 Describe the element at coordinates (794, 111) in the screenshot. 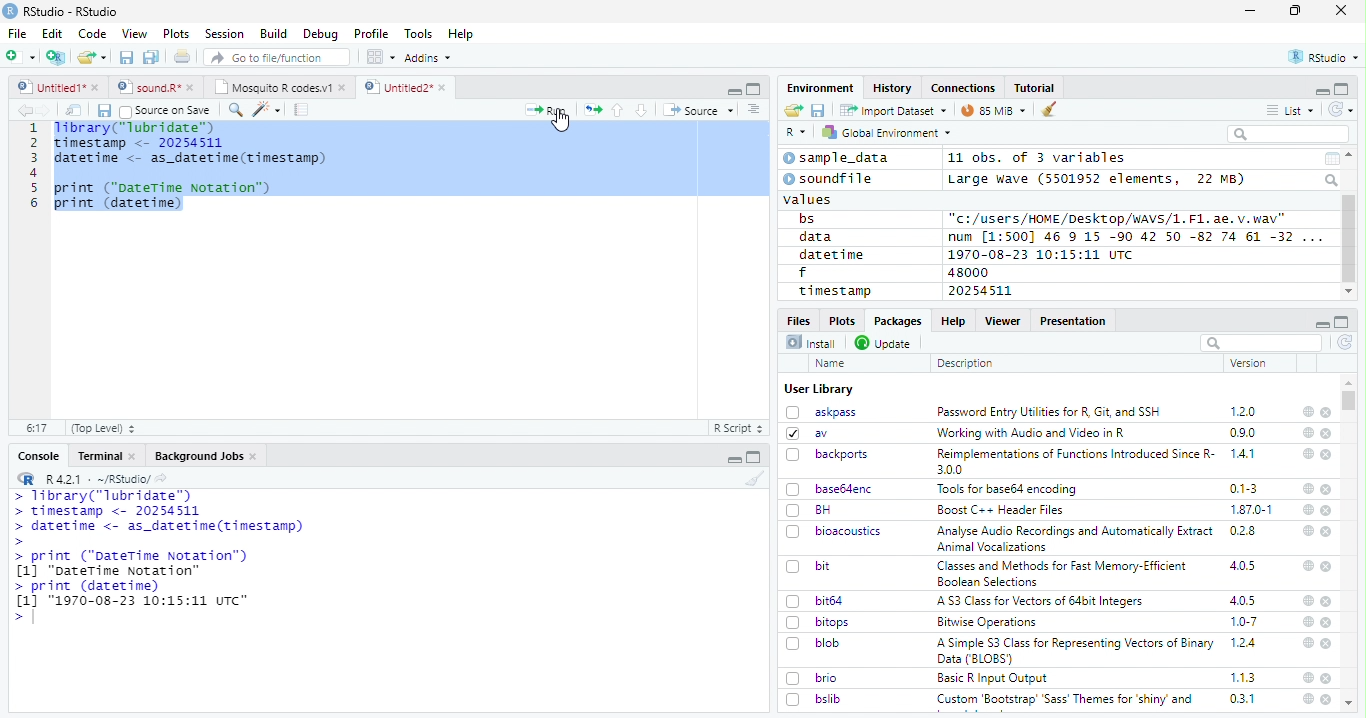

I see `Load workspace` at that location.